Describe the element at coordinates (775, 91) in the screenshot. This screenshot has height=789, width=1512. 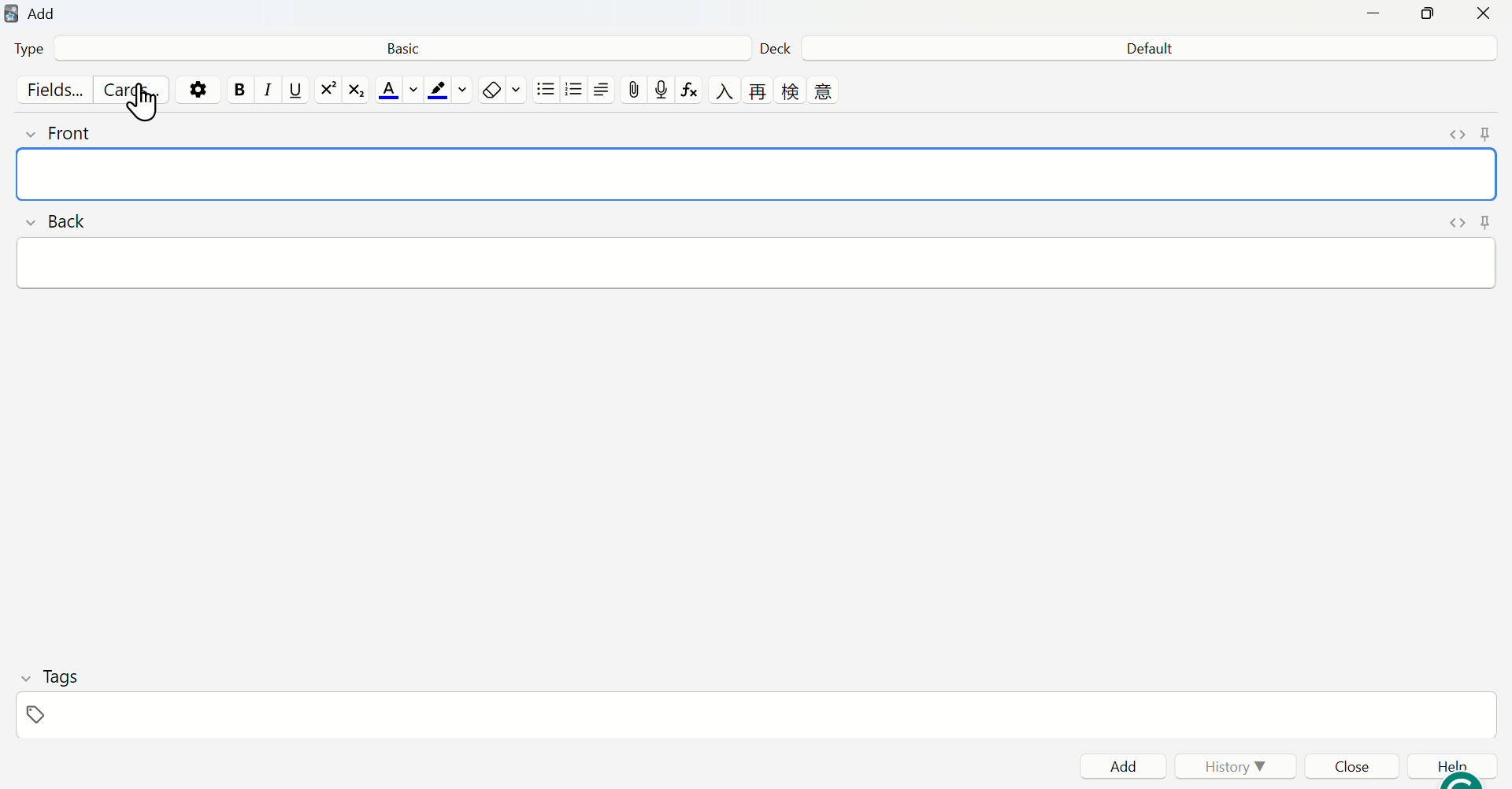
I see `Formatting  buttons` at that location.